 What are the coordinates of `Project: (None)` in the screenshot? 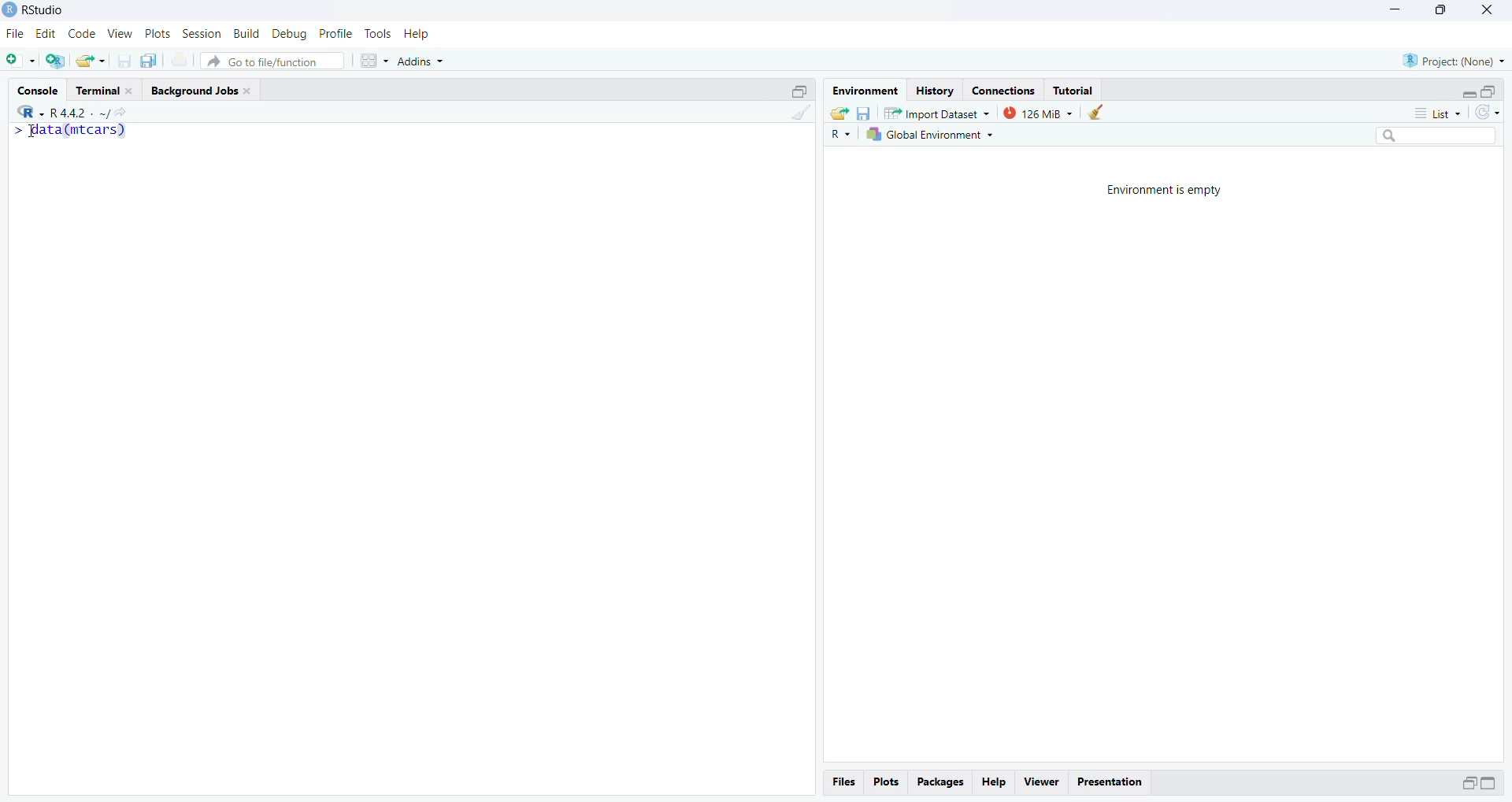 It's located at (1455, 60).